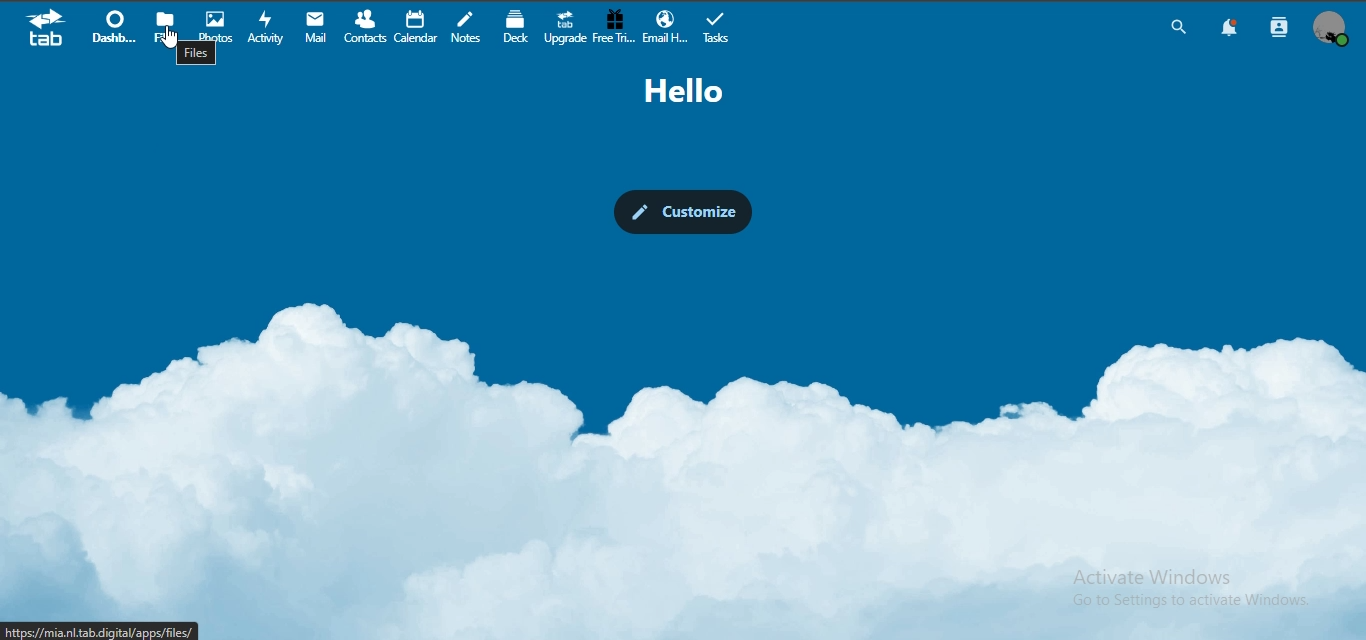  What do you see at coordinates (690, 92) in the screenshot?
I see `HELLO` at bounding box center [690, 92].